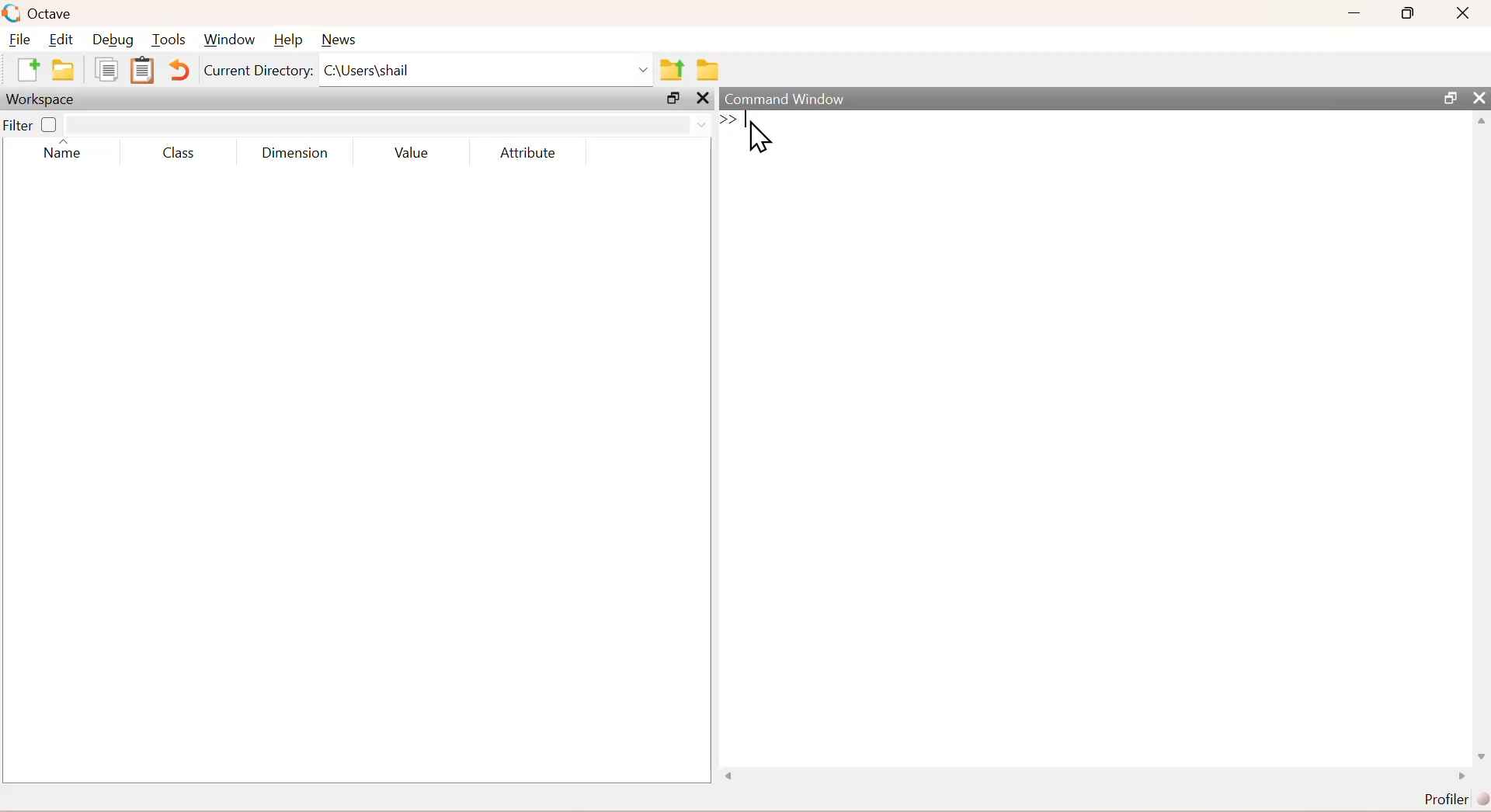  Describe the element at coordinates (140, 70) in the screenshot. I see `Paste` at that location.